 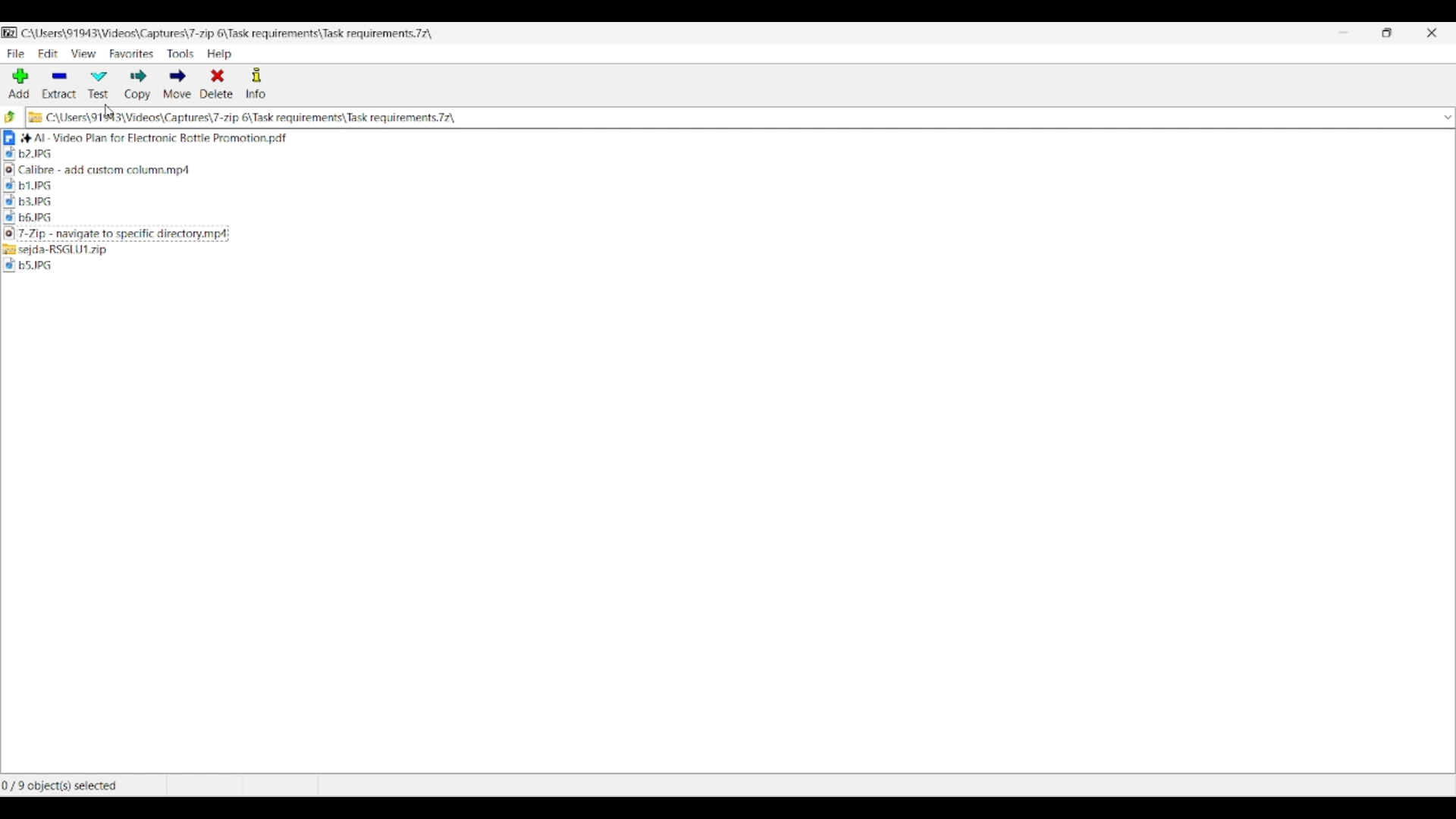 What do you see at coordinates (256, 83) in the screenshot?
I see `Info` at bounding box center [256, 83].